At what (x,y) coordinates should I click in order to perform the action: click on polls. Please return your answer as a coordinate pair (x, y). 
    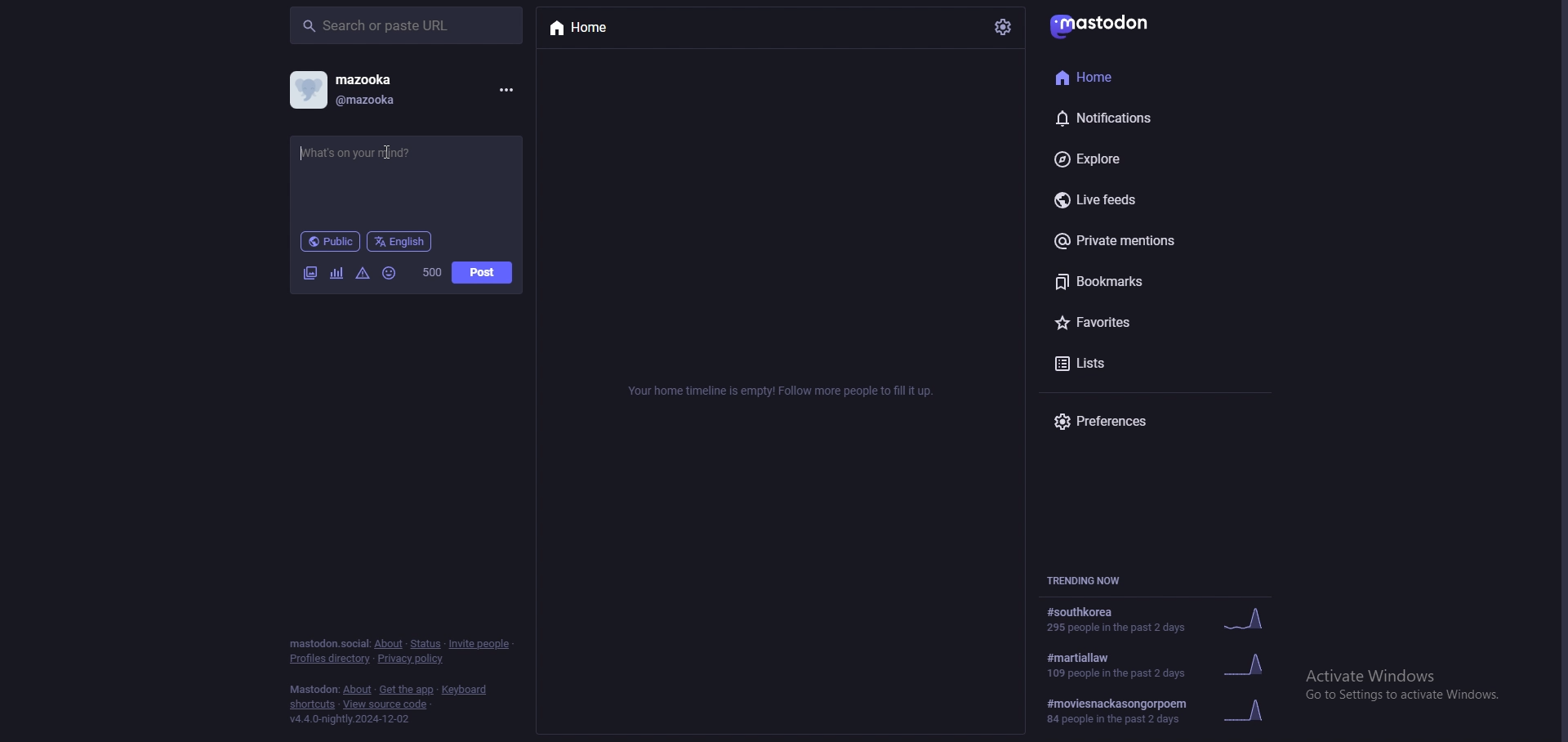
    Looking at the image, I should click on (336, 274).